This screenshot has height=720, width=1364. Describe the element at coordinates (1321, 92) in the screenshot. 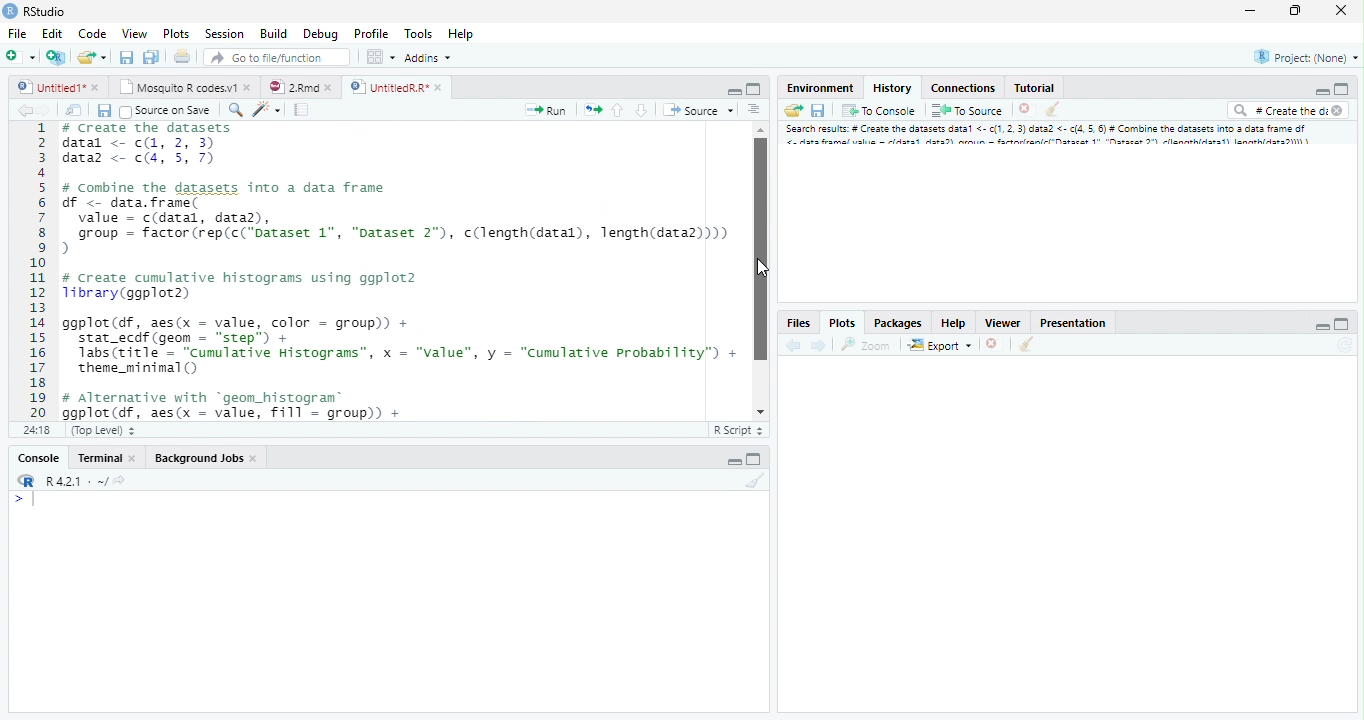

I see `Minimize` at that location.